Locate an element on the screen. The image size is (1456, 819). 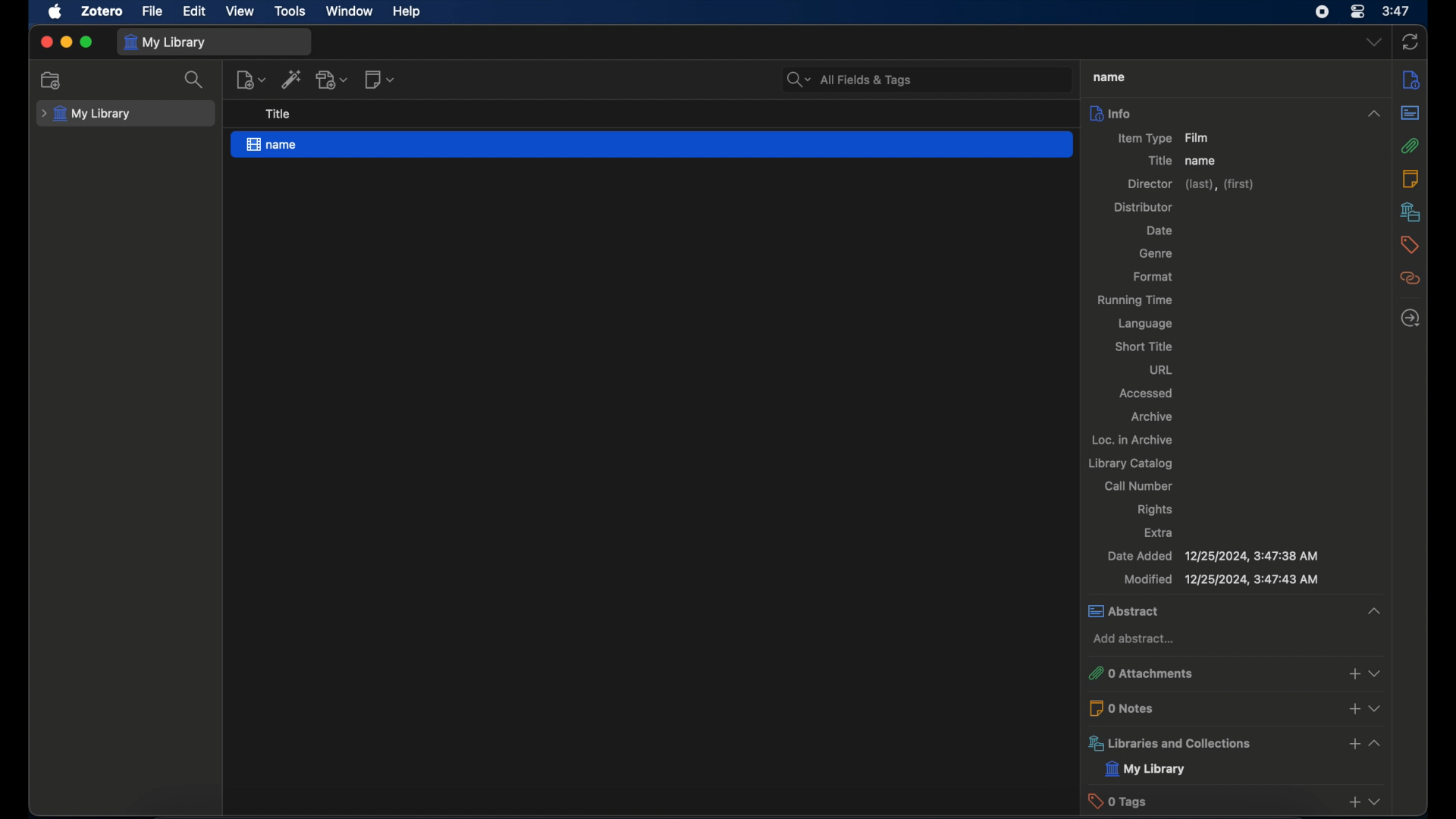
add abstract is located at coordinates (1133, 639).